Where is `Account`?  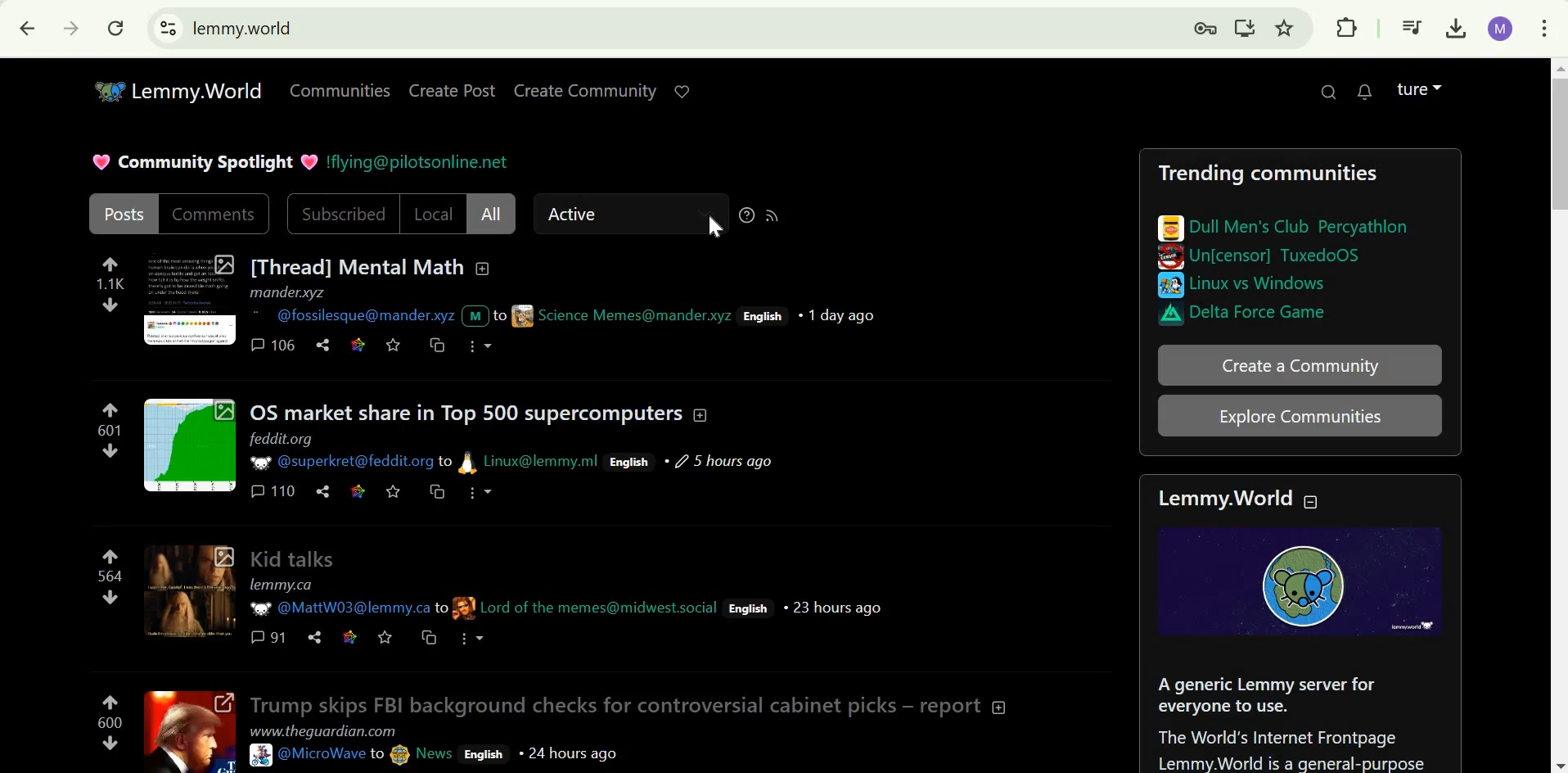 Account is located at coordinates (1500, 29).